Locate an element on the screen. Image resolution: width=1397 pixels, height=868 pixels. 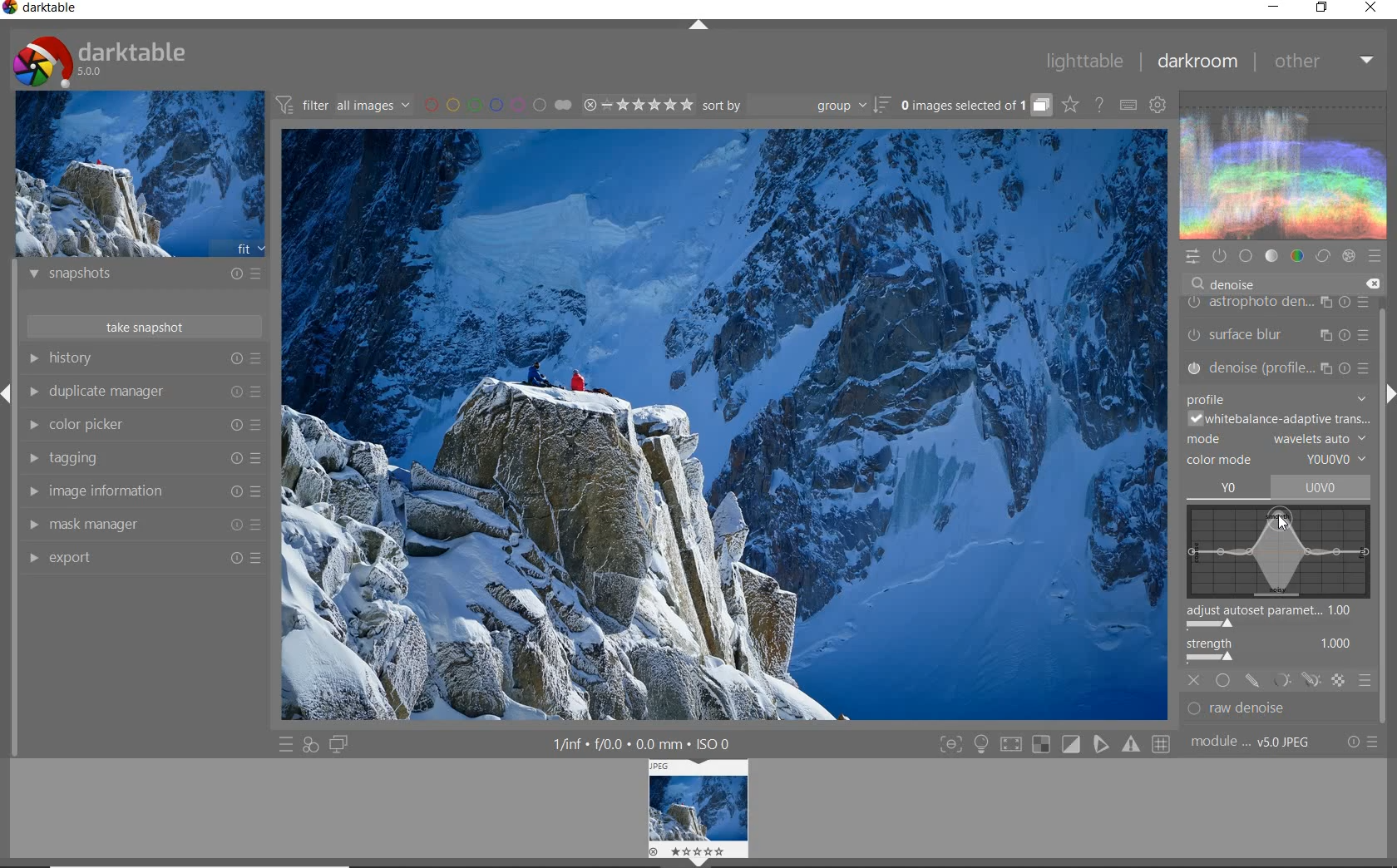
other is located at coordinates (1322, 62).